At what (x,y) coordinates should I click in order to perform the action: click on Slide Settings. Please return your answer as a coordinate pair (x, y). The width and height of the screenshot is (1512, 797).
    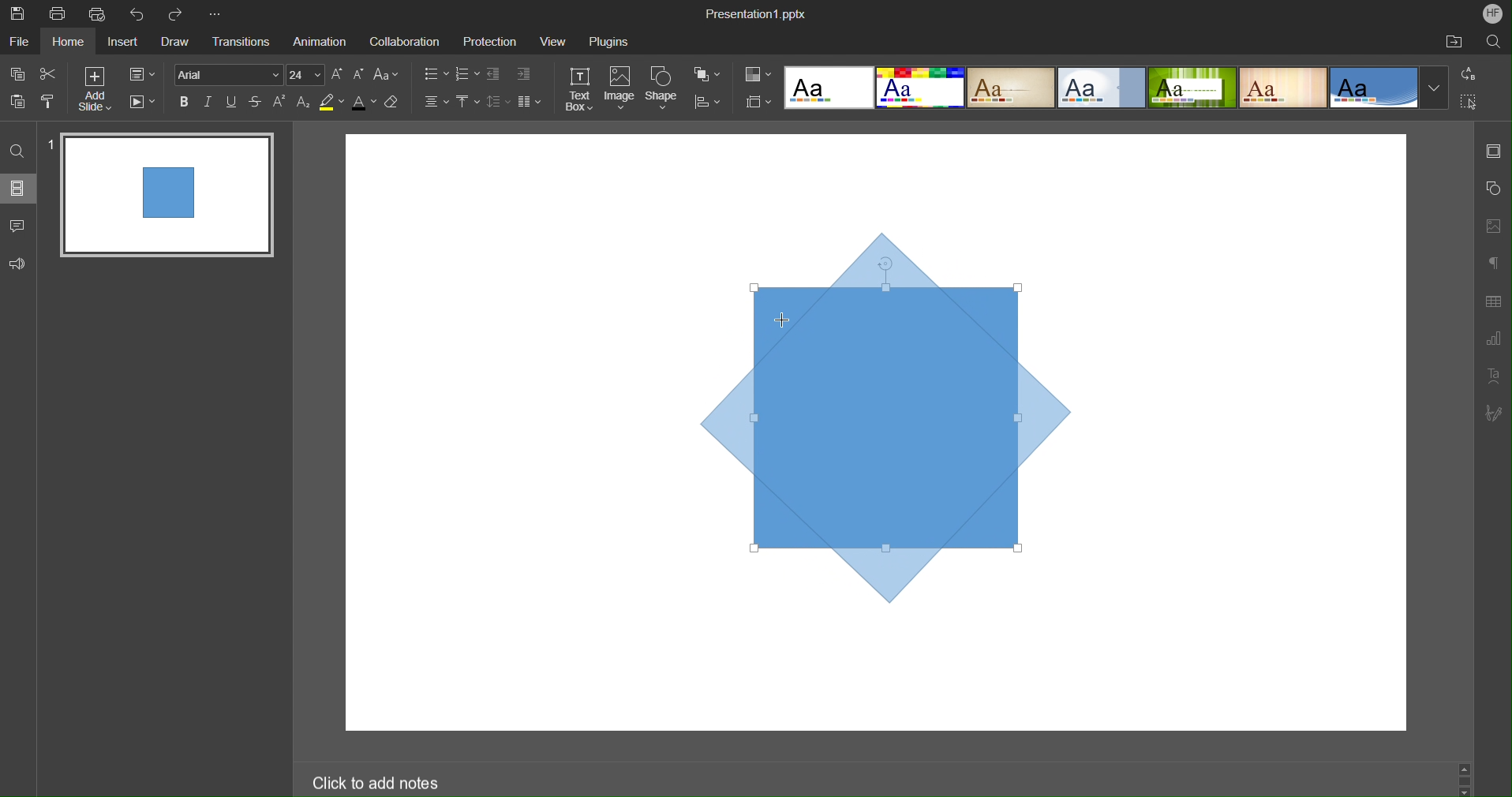
    Looking at the image, I should click on (142, 73).